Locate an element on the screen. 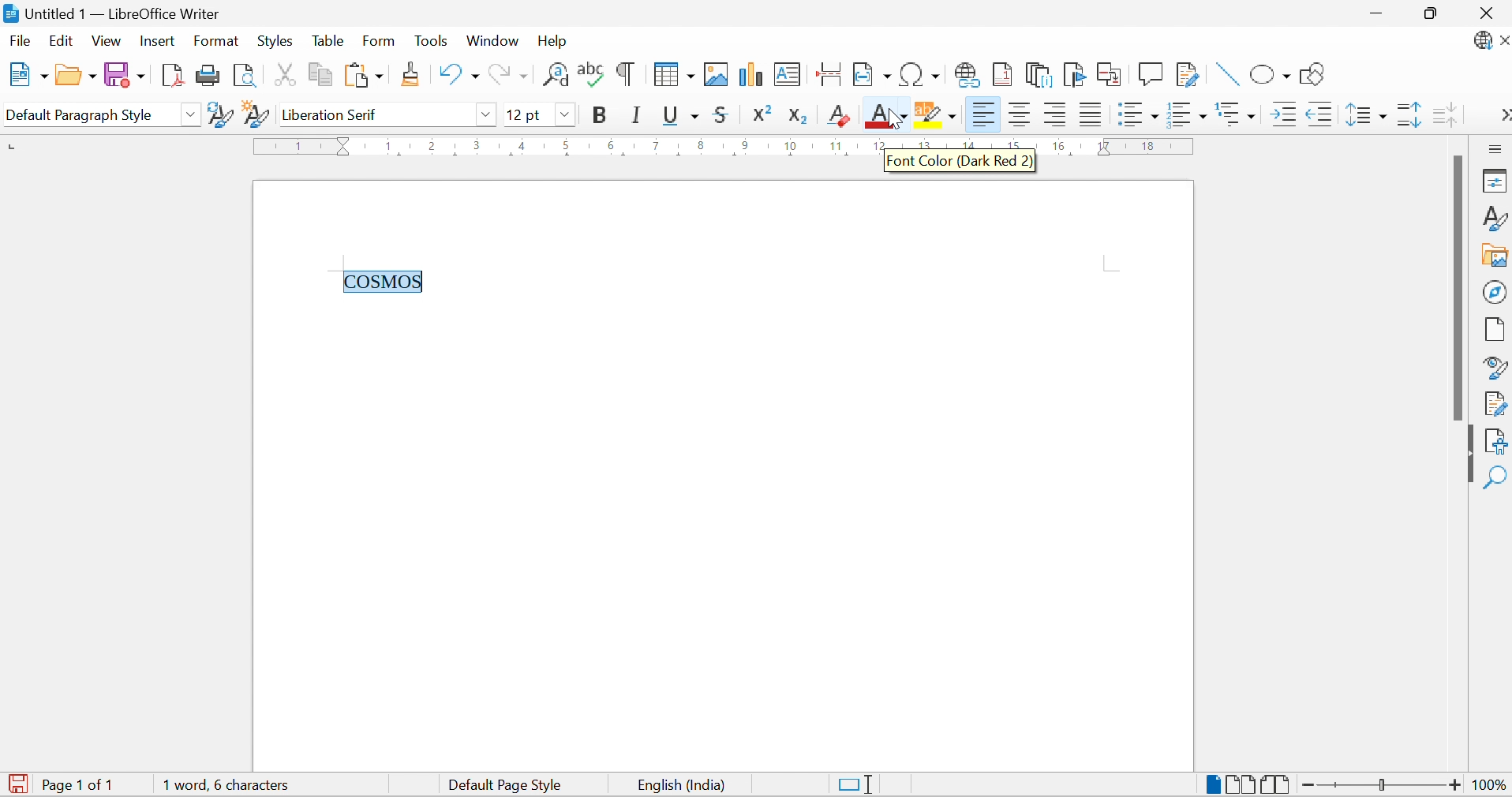 Image resolution: width=1512 pixels, height=797 pixels. Table is located at coordinates (327, 41).